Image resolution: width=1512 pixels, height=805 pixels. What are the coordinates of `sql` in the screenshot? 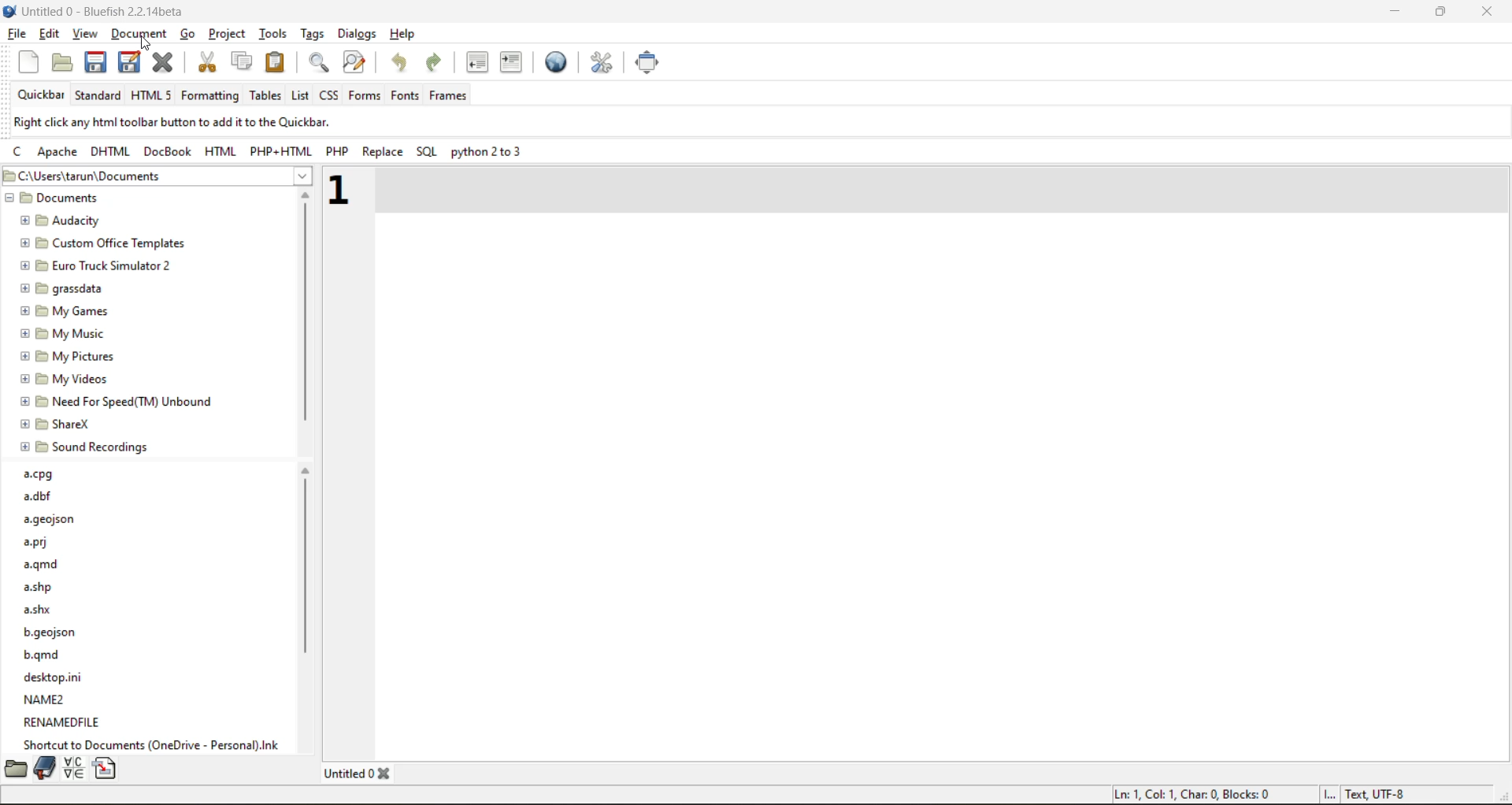 It's located at (428, 150).